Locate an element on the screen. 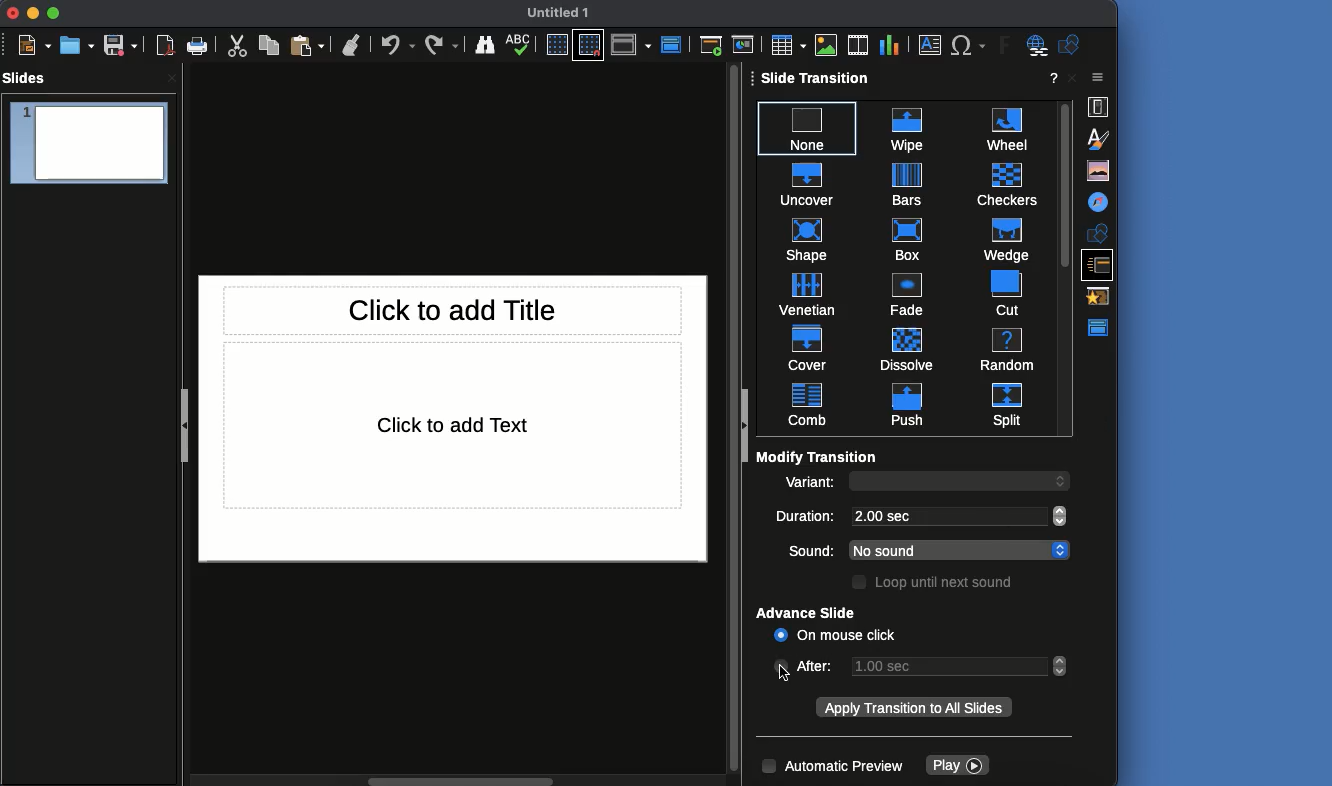 The image size is (1332, 786). random is located at coordinates (1005, 349).